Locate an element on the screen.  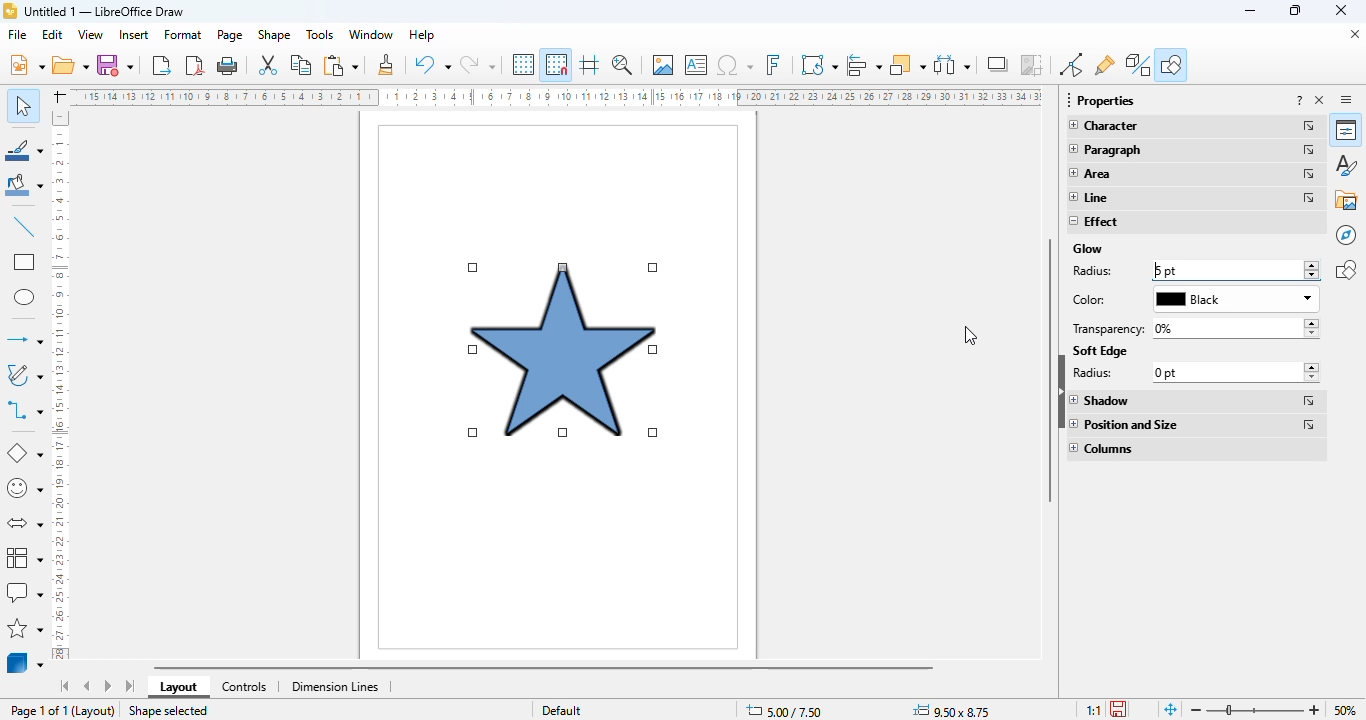
(Layout) is located at coordinates (94, 712).